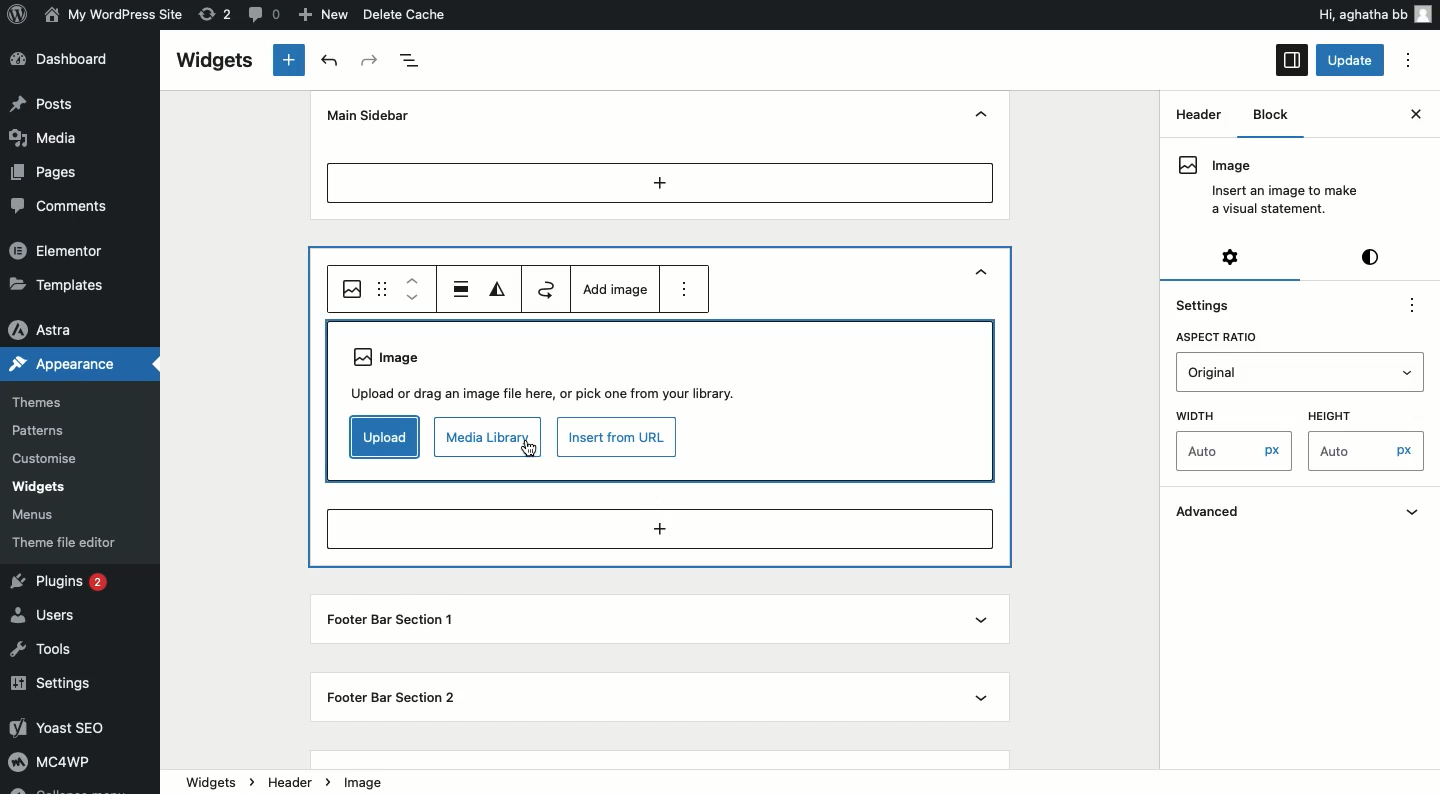 The image size is (1440, 794). I want to click on Settings, so click(1233, 256).